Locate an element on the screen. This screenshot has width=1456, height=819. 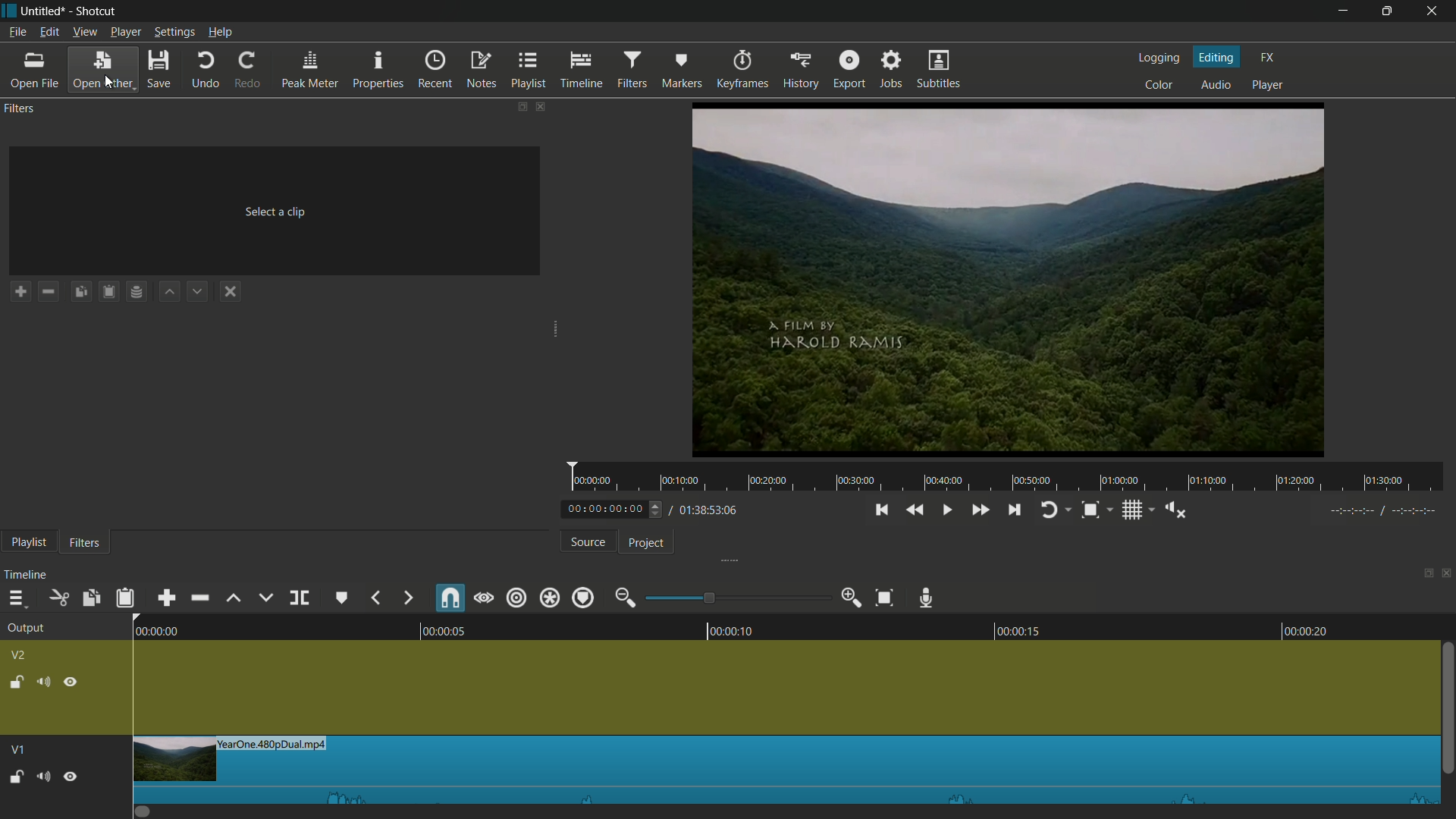
open other is located at coordinates (101, 71).